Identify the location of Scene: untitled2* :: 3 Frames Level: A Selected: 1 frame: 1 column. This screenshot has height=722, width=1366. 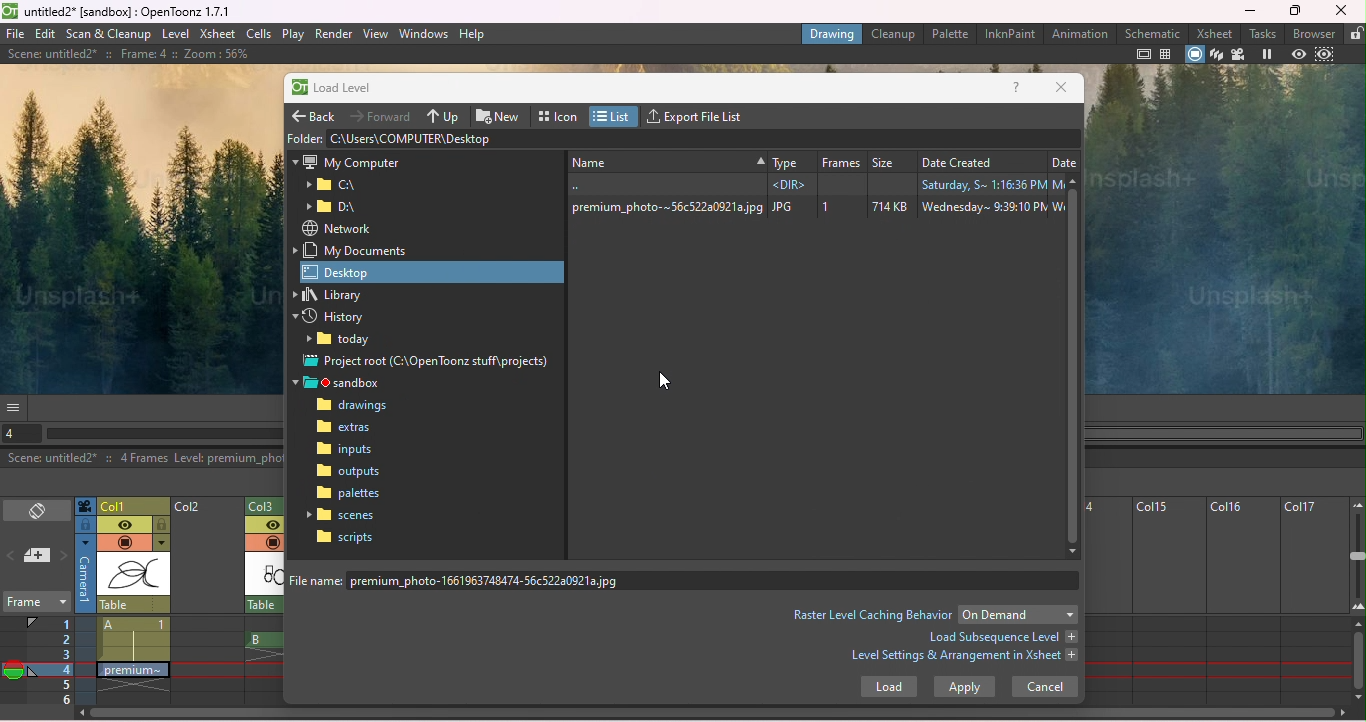
(142, 459).